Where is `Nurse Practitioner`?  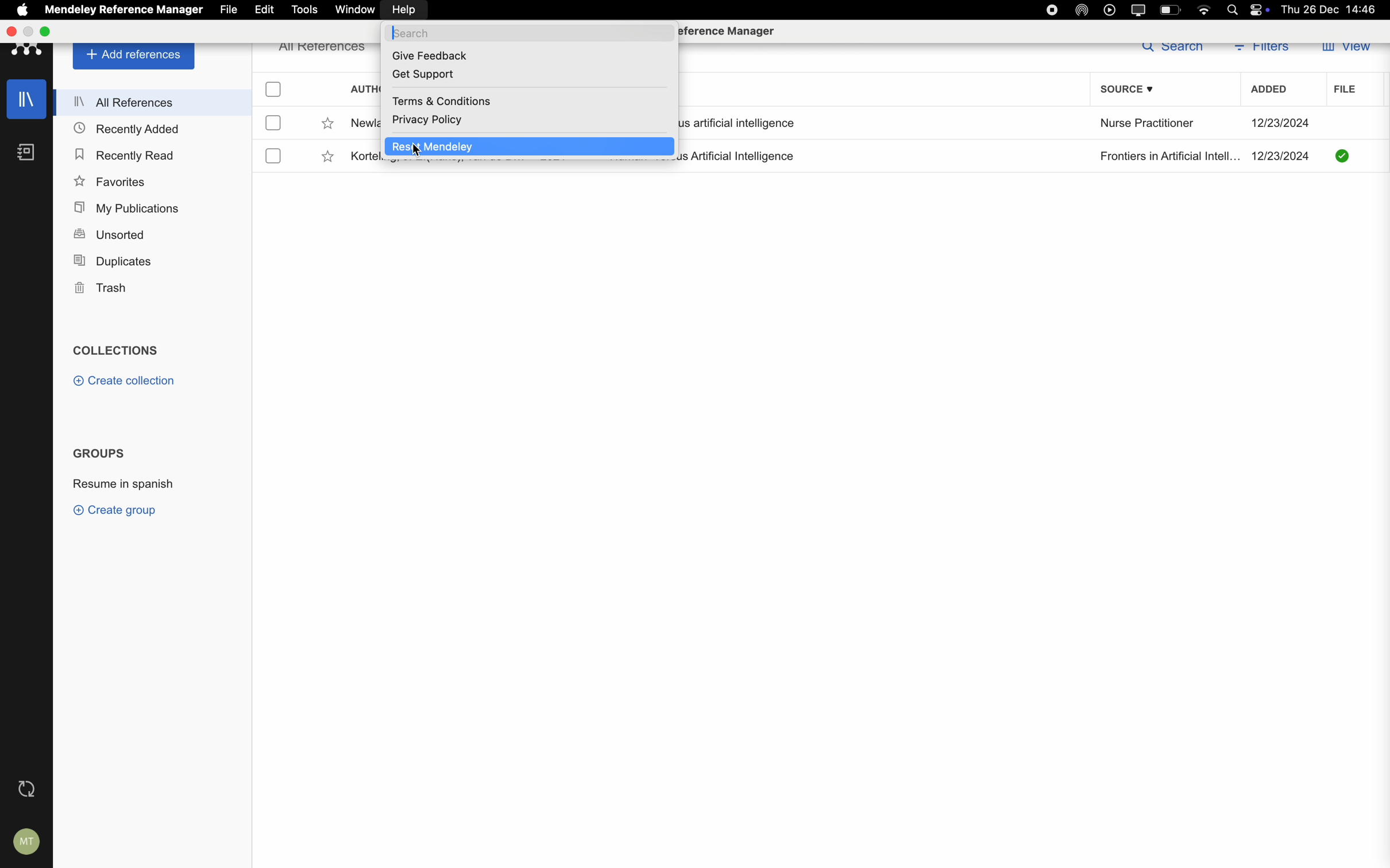 Nurse Practitioner is located at coordinates (1149, 126).